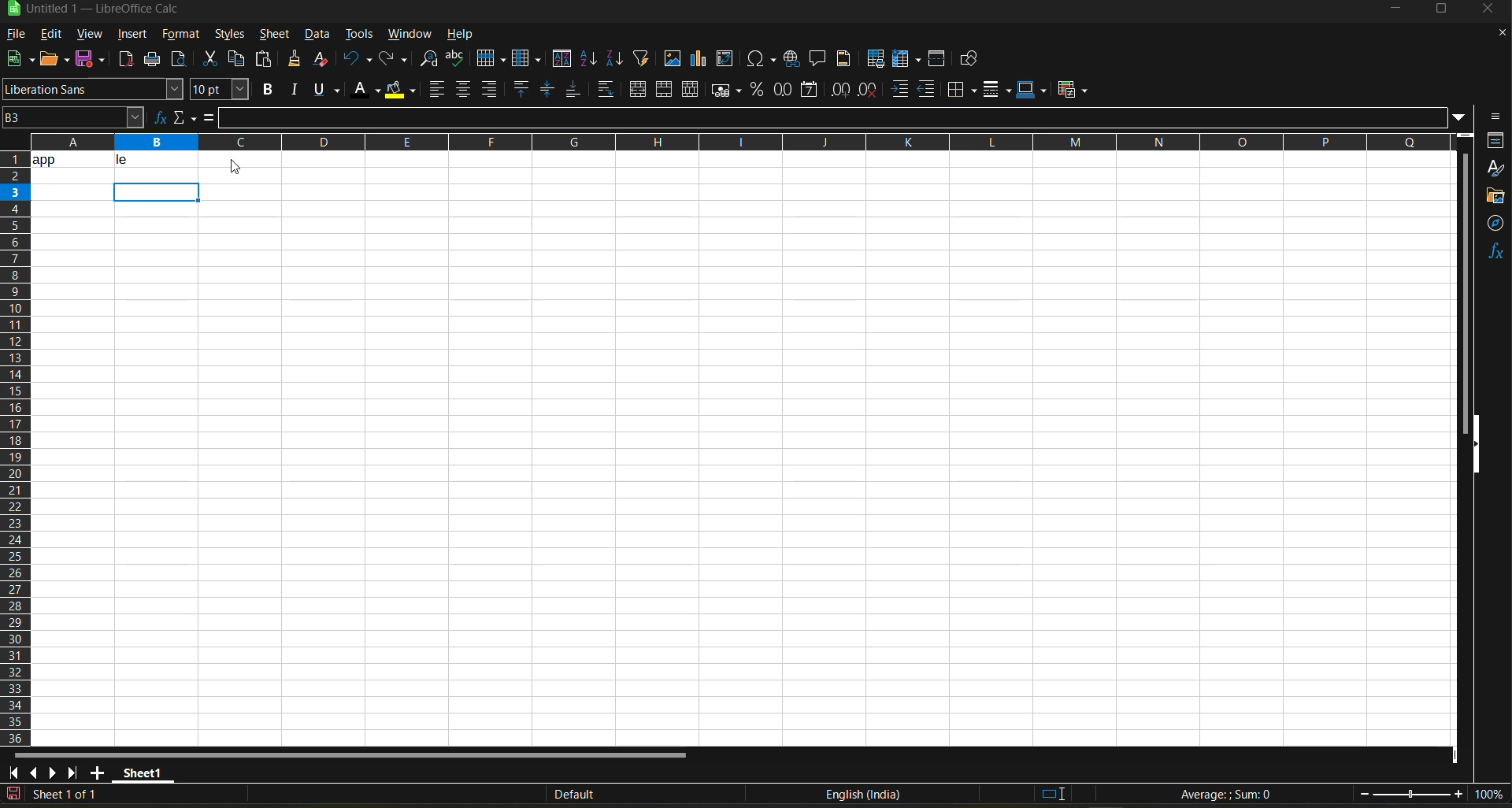  What do you see at coordinates (794, 58) in the screenshot?
I see `insert hyperlink` at bounding box center [794, 58].